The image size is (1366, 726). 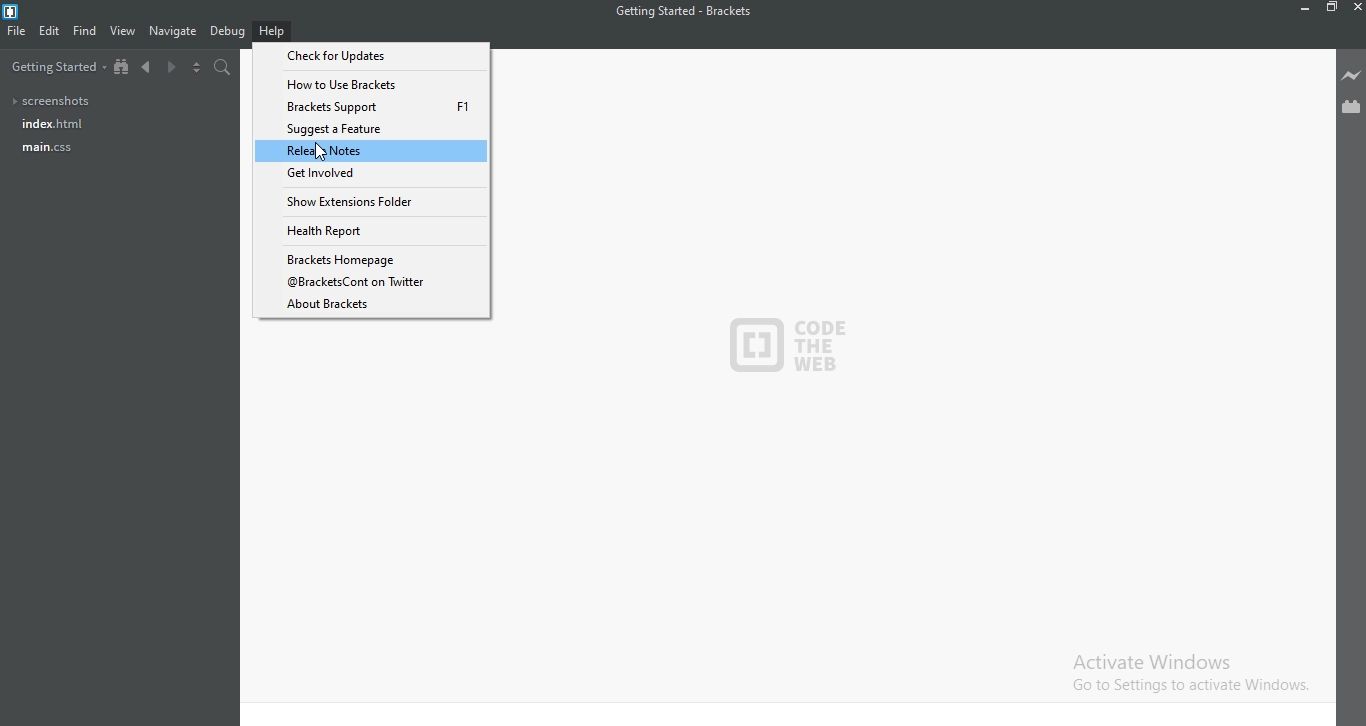 What do you see at coordinates (123, 68) in the screenshot?
I see `Show file tree` at bounding box center [123, 68].